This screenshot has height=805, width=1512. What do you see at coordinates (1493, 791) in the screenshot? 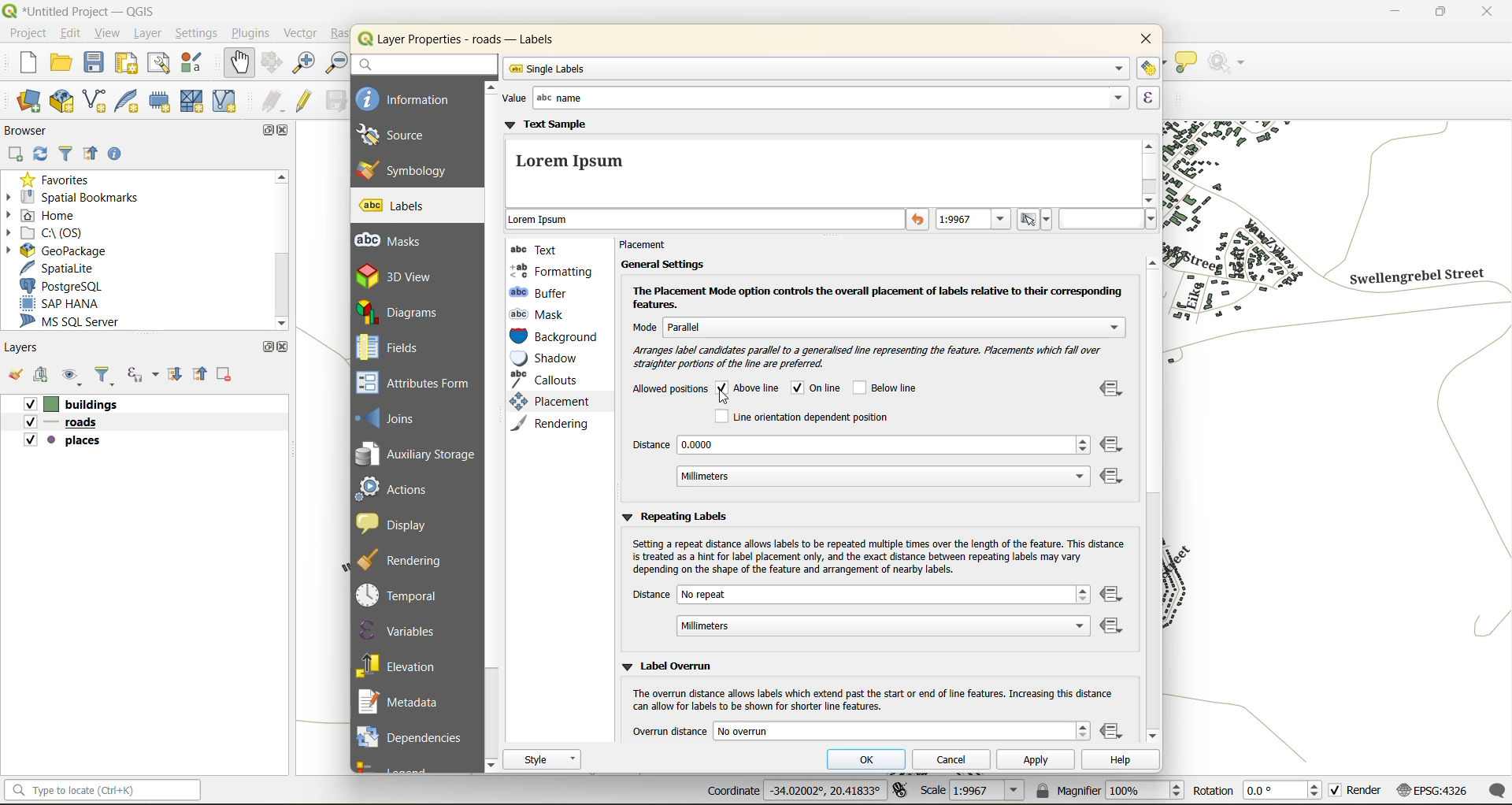
I see `log messages` at bounding box center [1493, 791].